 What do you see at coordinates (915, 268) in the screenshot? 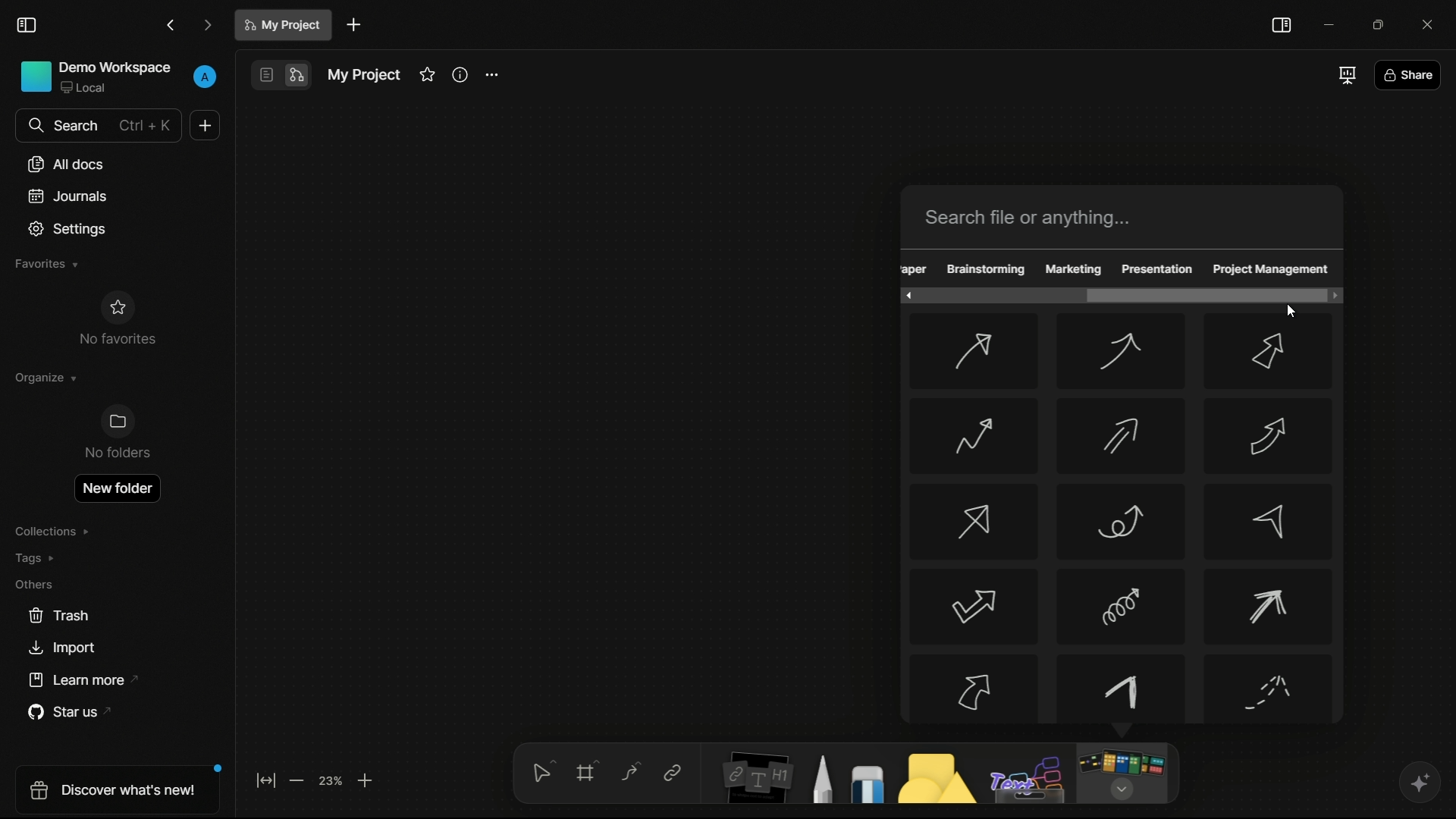
I see `obscure text` at bounding box center [915, 268].